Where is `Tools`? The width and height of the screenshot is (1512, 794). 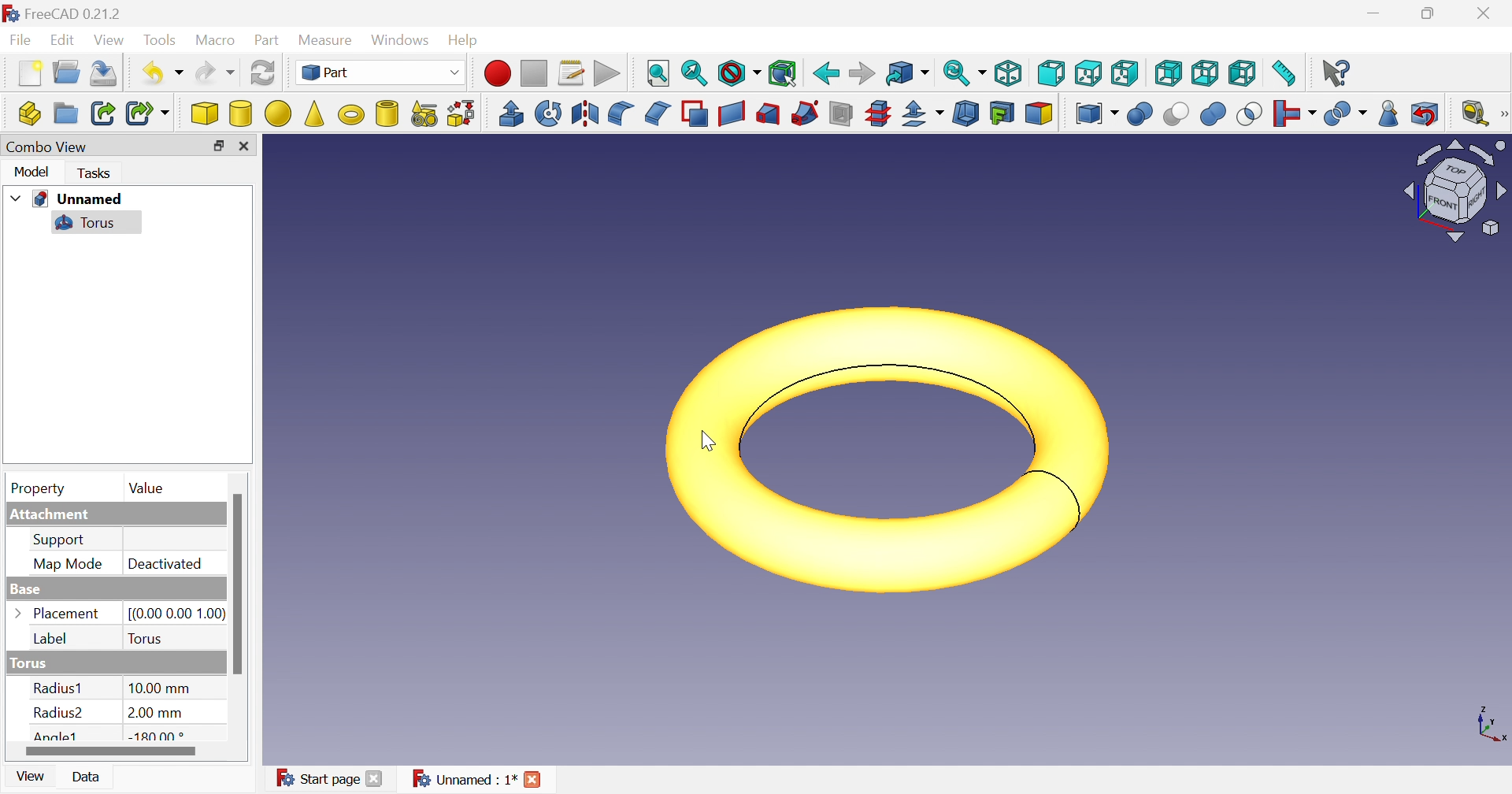
Tools is located at coordinates (158, 39).